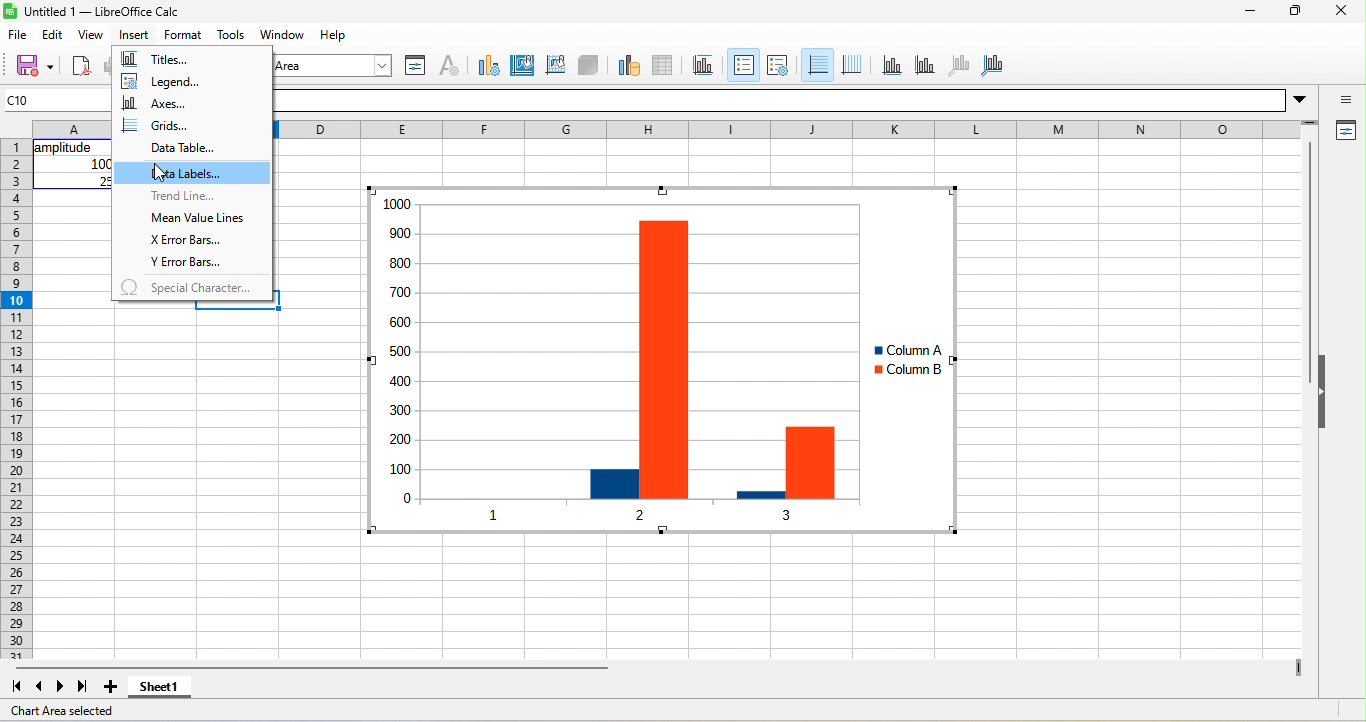  I want to click on maximize, so click(1292, 13).